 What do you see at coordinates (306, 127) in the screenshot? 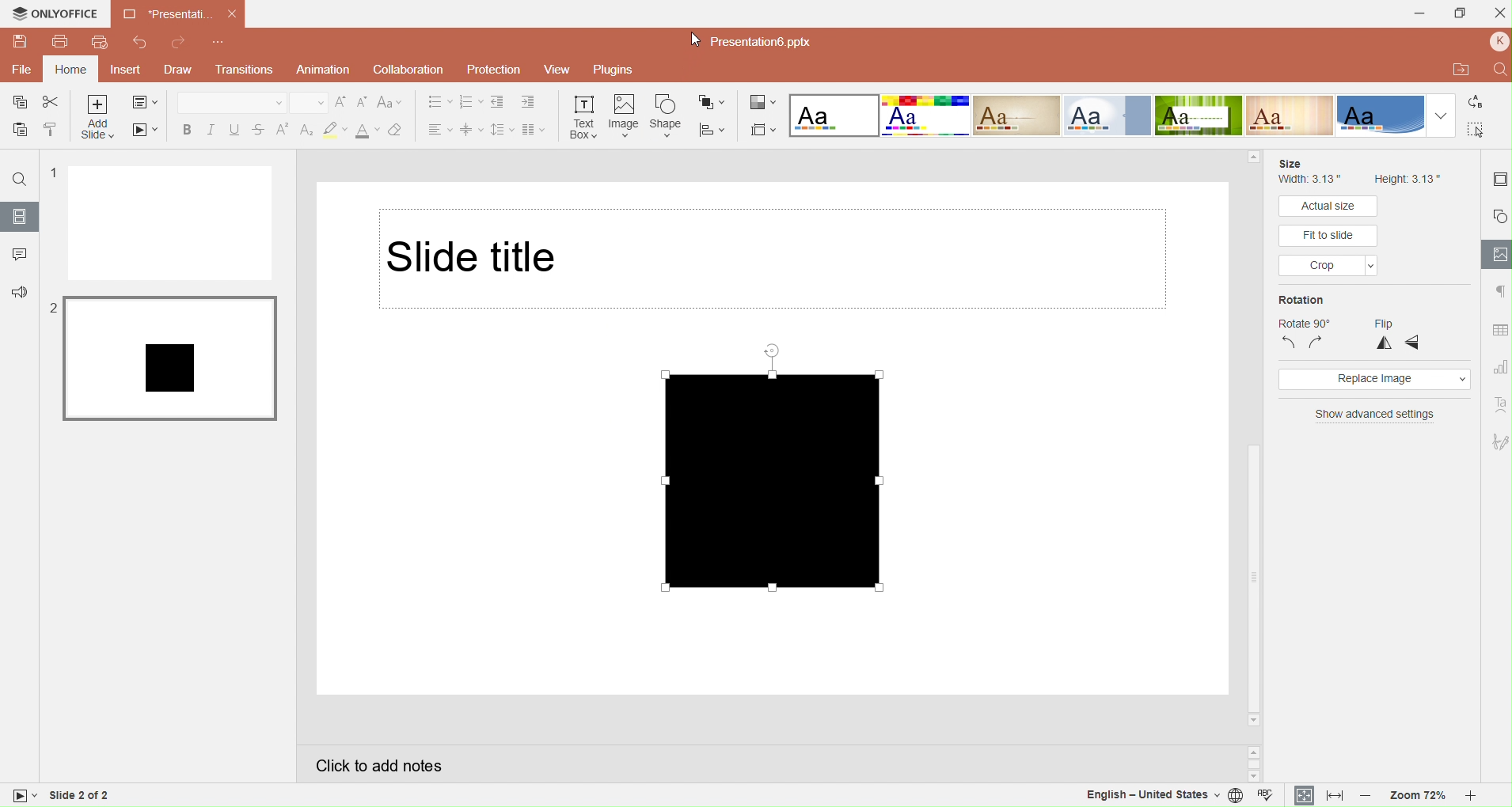
I see `Subscript` at bounding box center [306, 127].